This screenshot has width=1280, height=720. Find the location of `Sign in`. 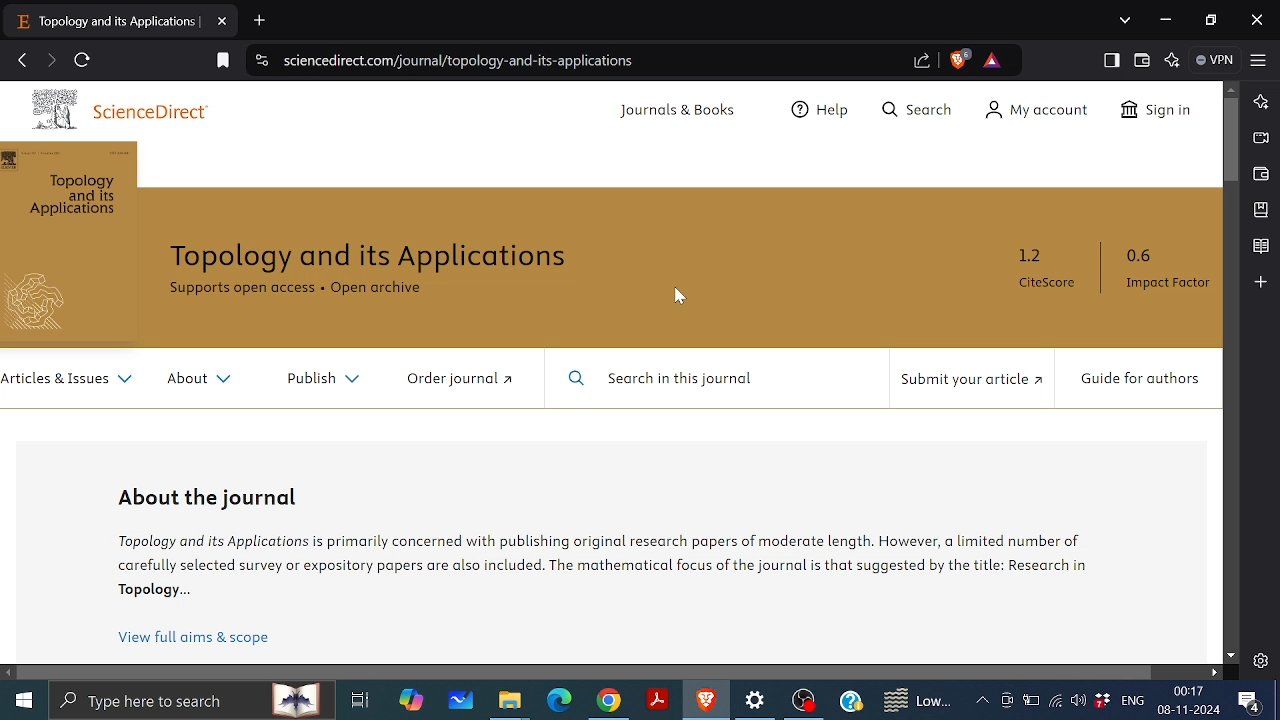

Sign in is located at coordinates (1157, 111).